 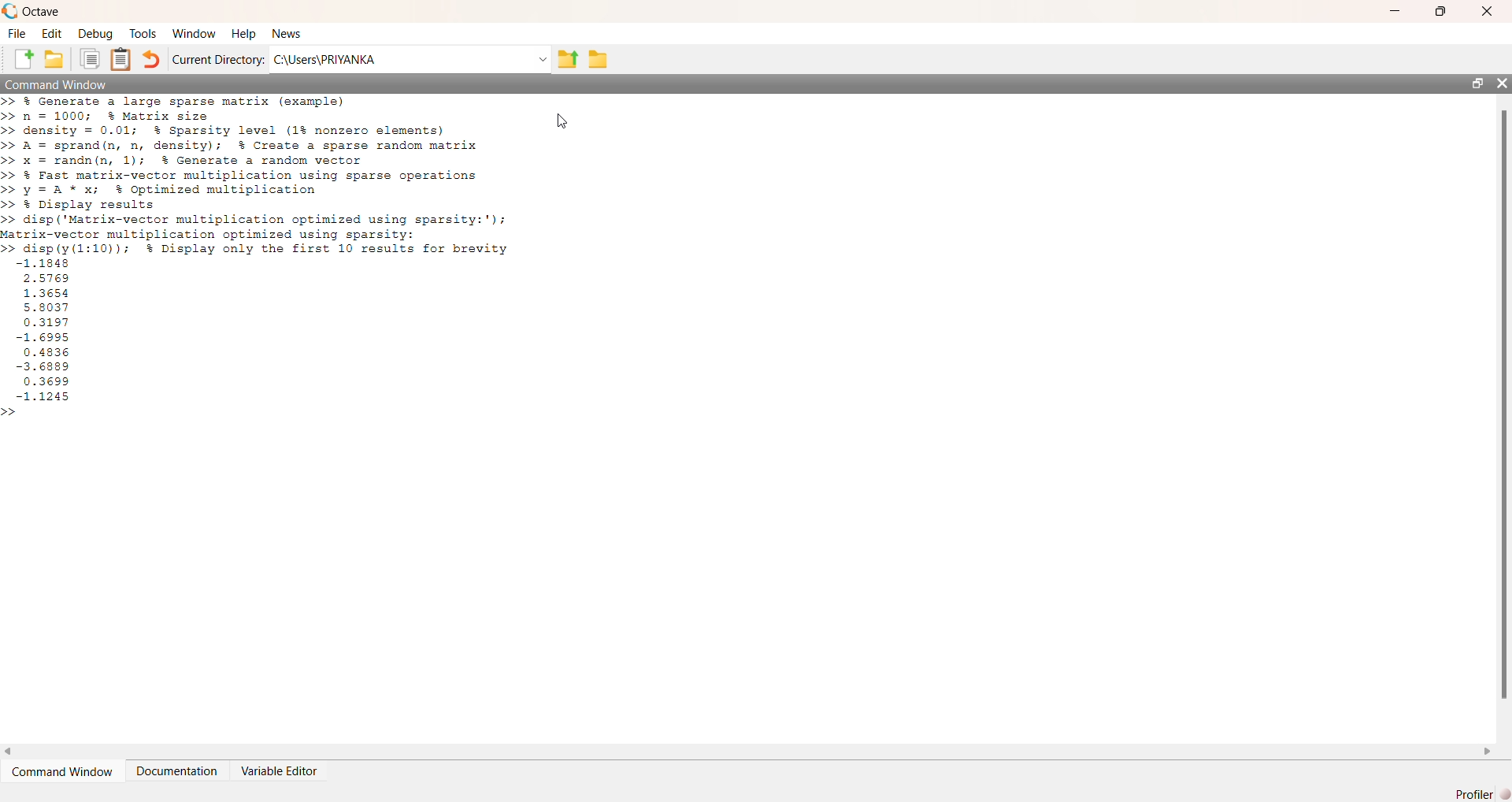 I want to click on enter directory name, so click(x=410, y=60).